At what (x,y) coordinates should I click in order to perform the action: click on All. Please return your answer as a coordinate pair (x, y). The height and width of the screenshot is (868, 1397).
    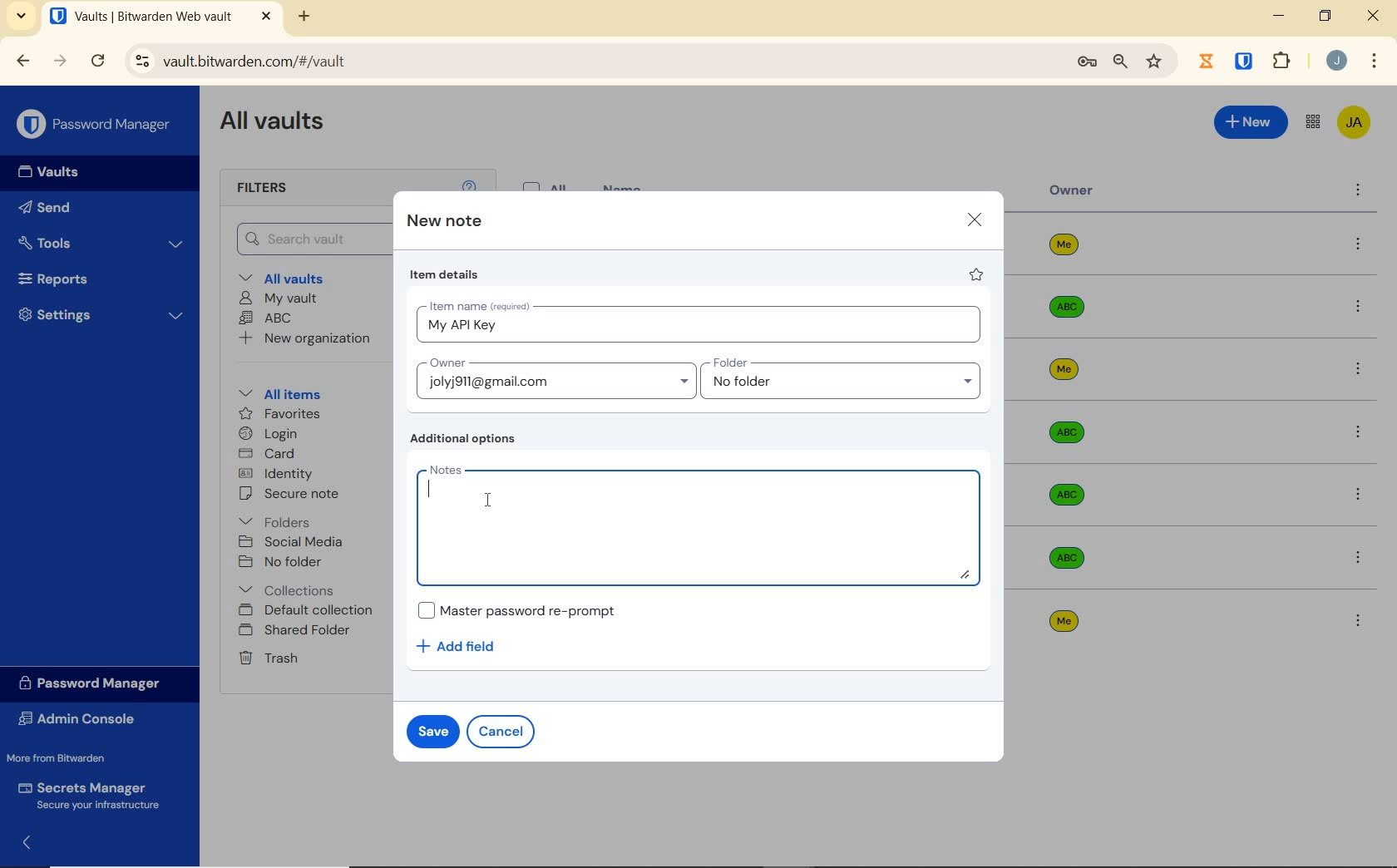
    Looking at the image, I should click on (548, 184).